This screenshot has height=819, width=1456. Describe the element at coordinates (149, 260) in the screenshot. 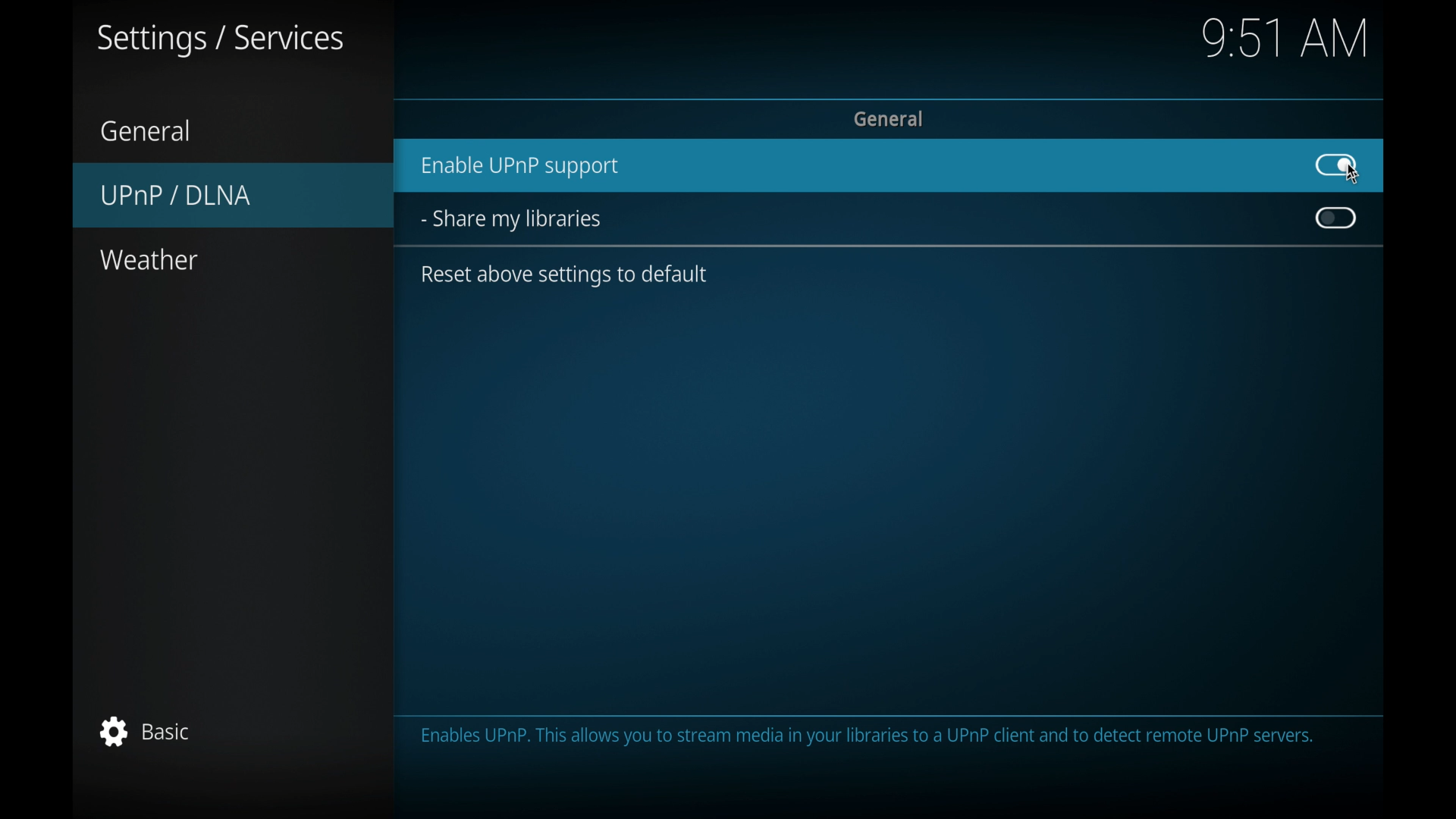

I see `weather` at that location.